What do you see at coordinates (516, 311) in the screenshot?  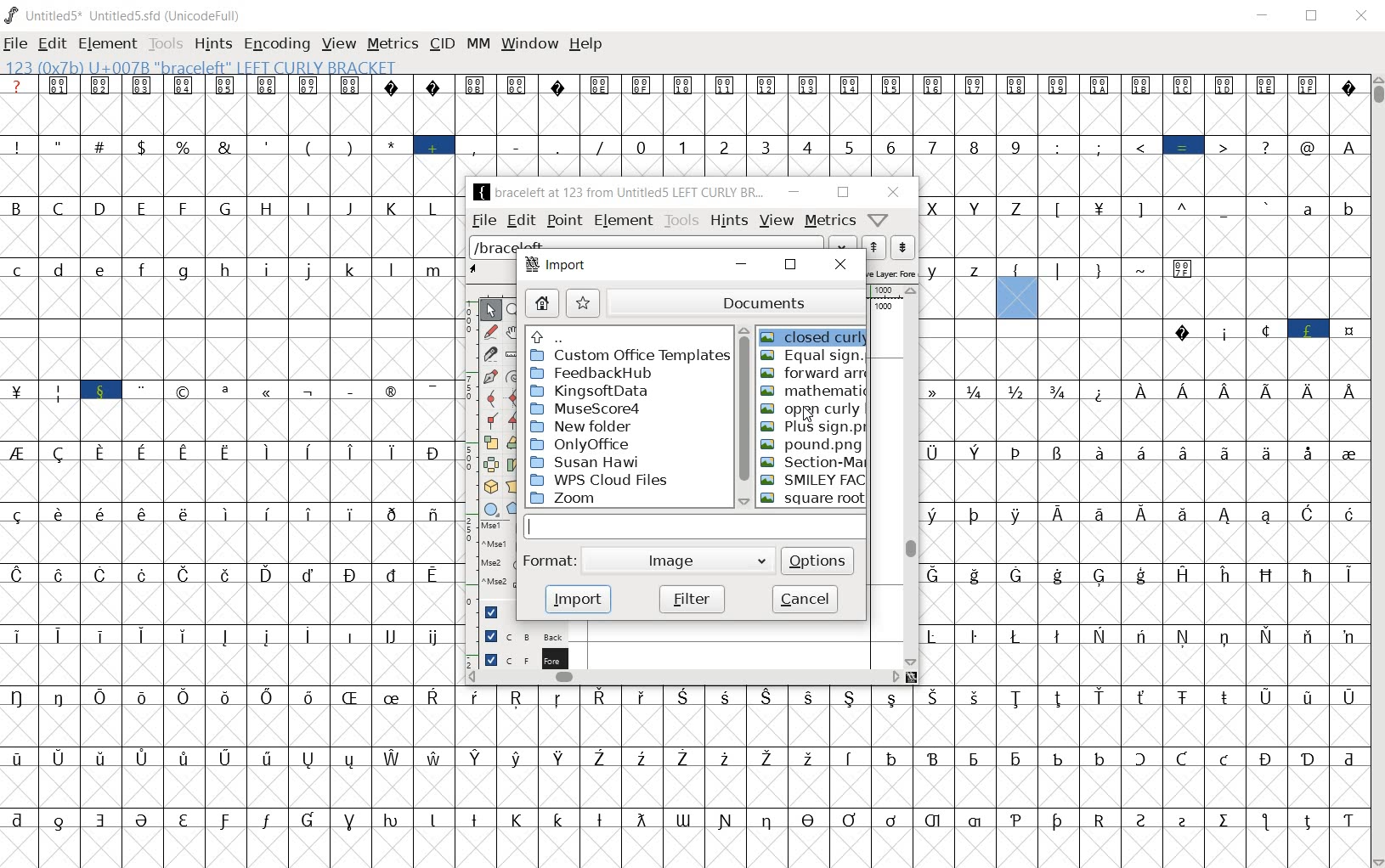 I see `MAGNIFY` at bounding box center [516, 311].